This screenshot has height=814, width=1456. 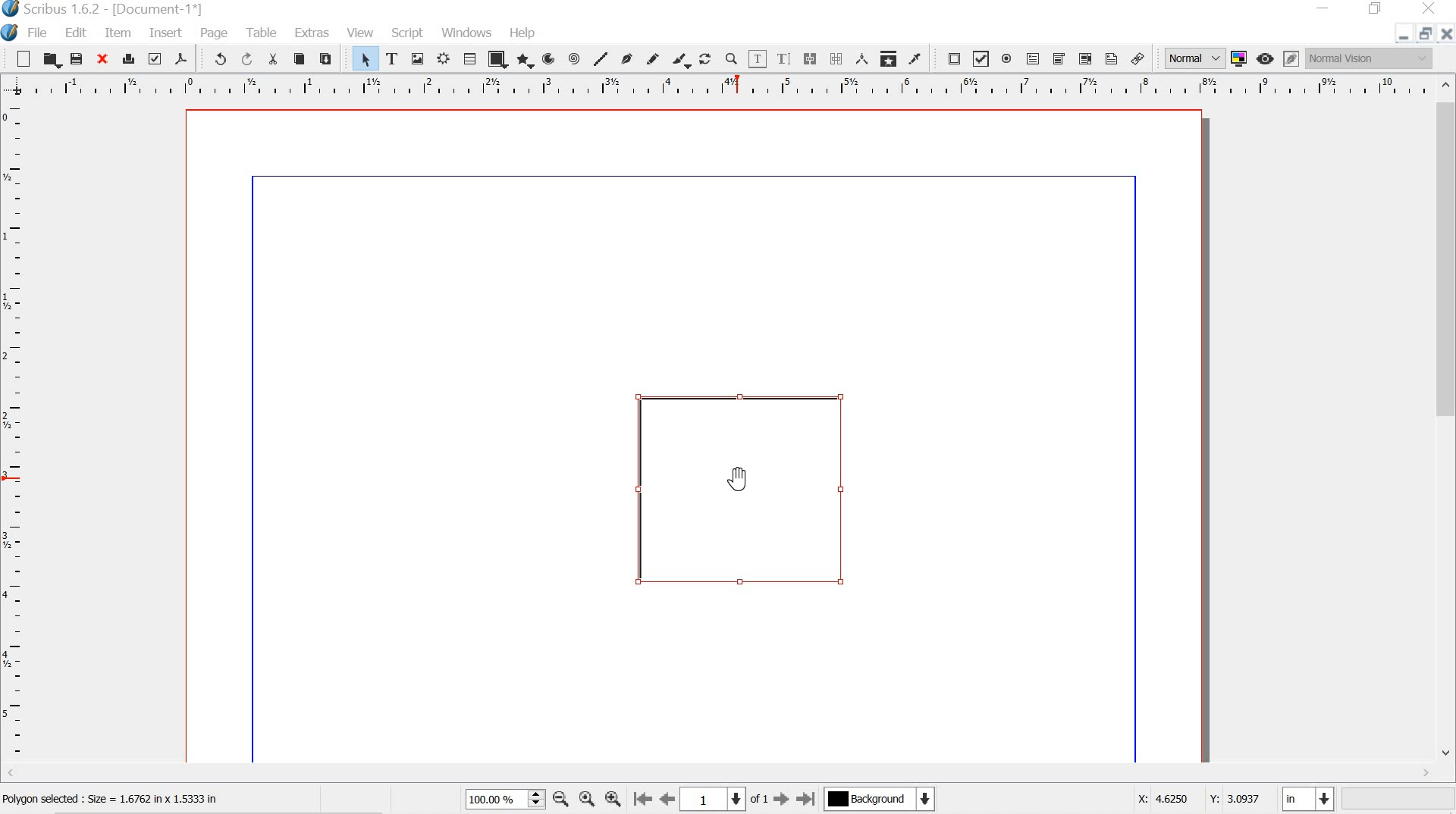 What do you see at coordinates (101, 58) in the screenshot?
I see `close` at bounding box center [101, 58].